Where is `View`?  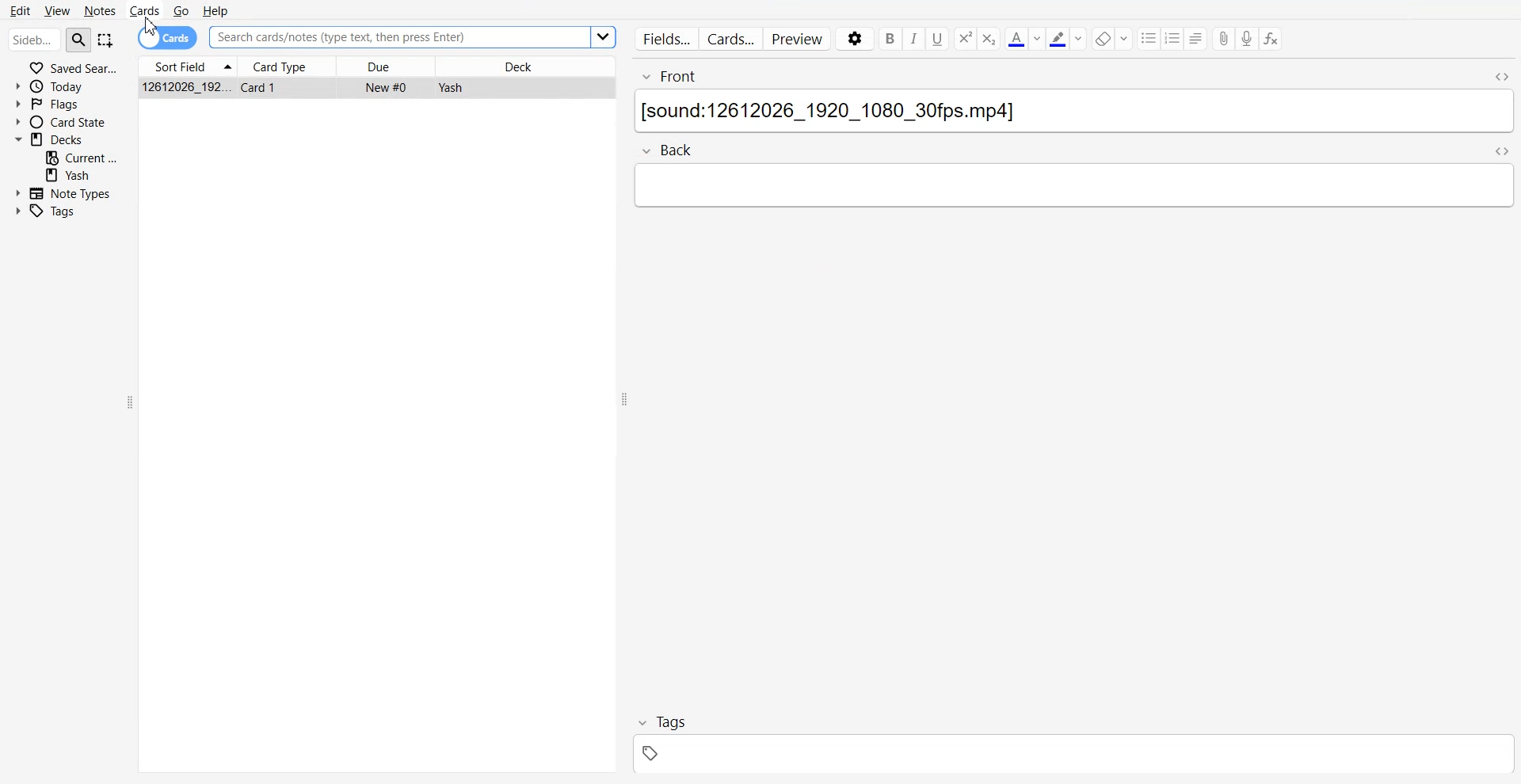
View is located at coordinates (56, 10).